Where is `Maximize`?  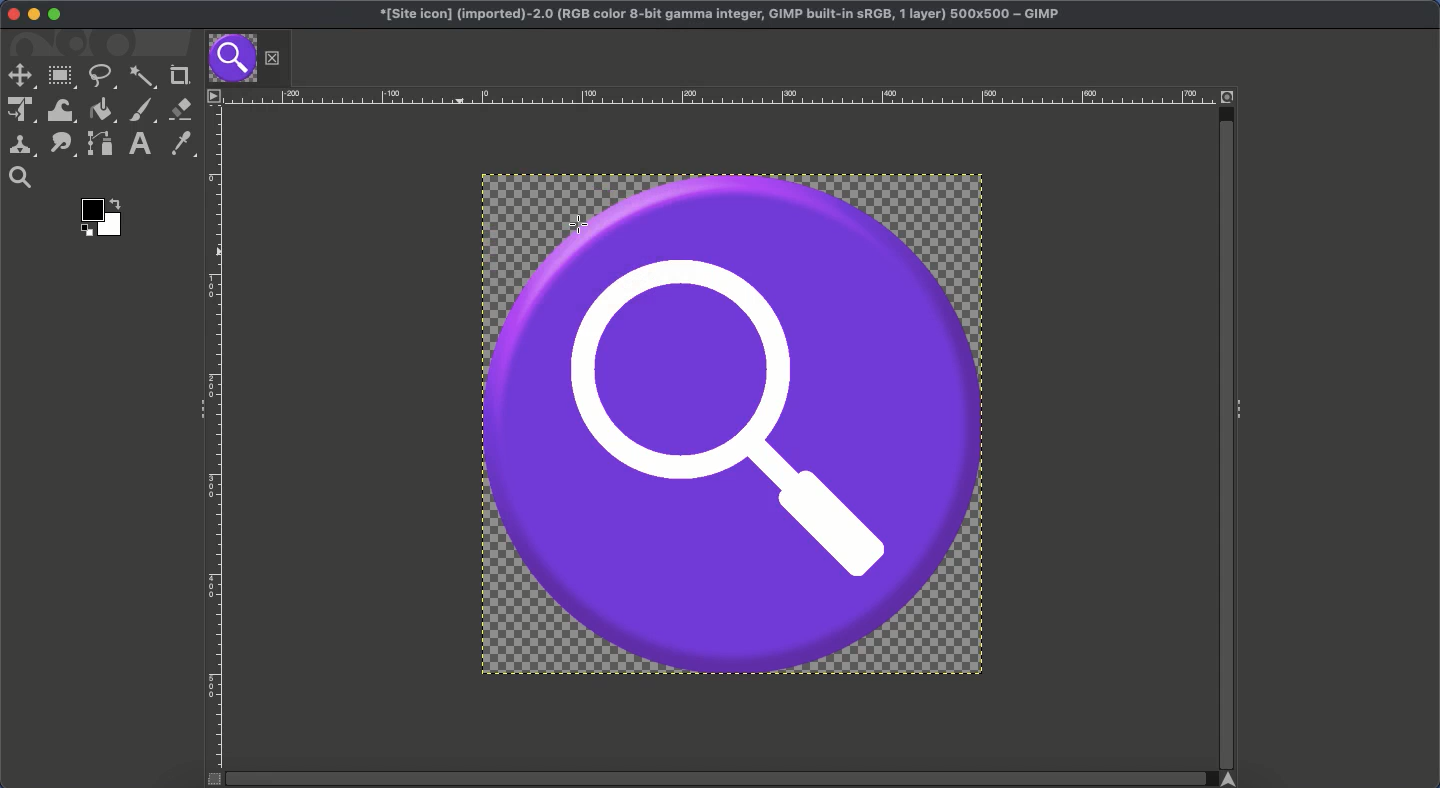
Maximize is located at coordinates (58, 15).